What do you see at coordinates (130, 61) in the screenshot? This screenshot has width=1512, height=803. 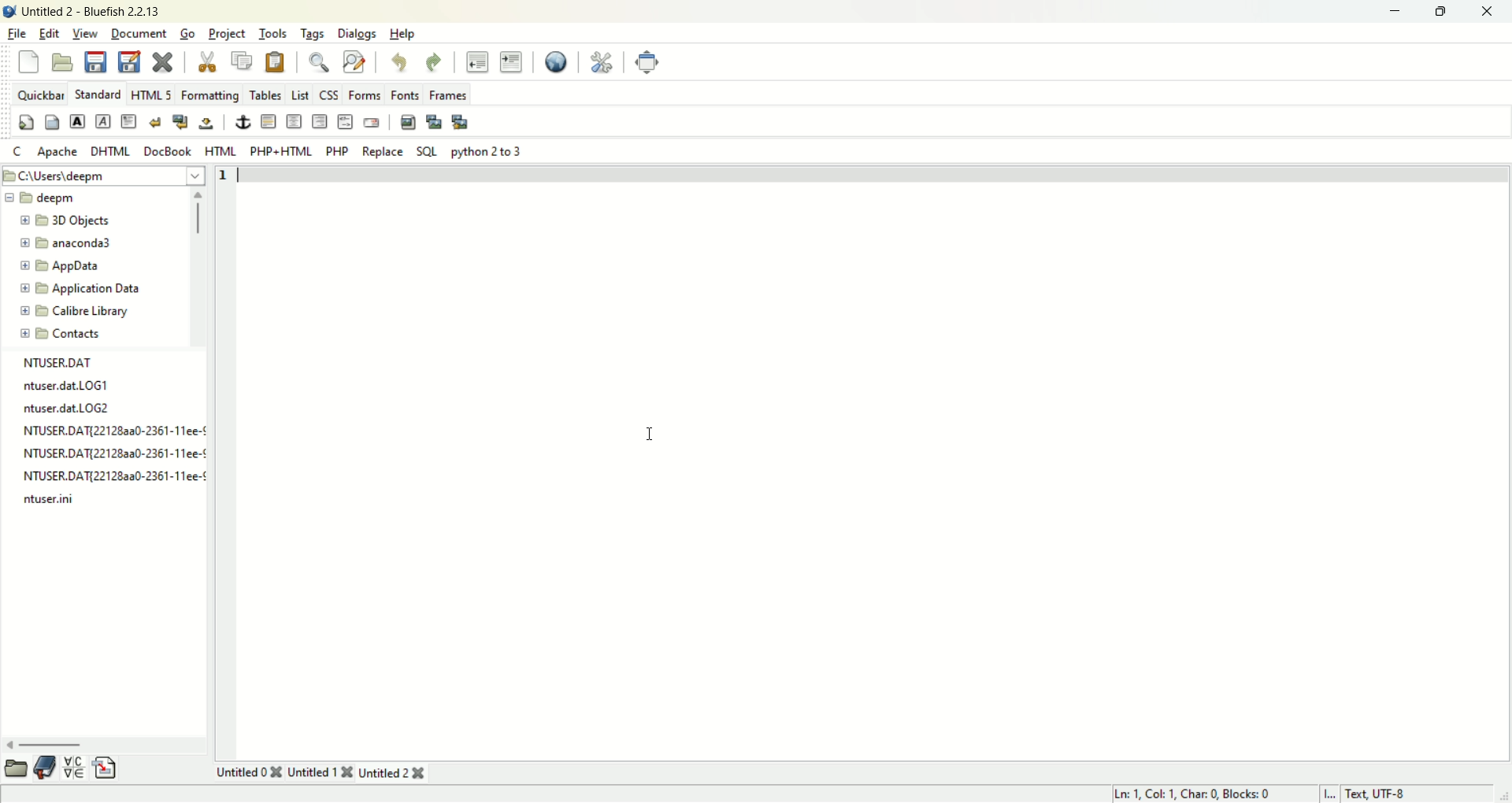 I see `save as` at bounding box center [130, 61].